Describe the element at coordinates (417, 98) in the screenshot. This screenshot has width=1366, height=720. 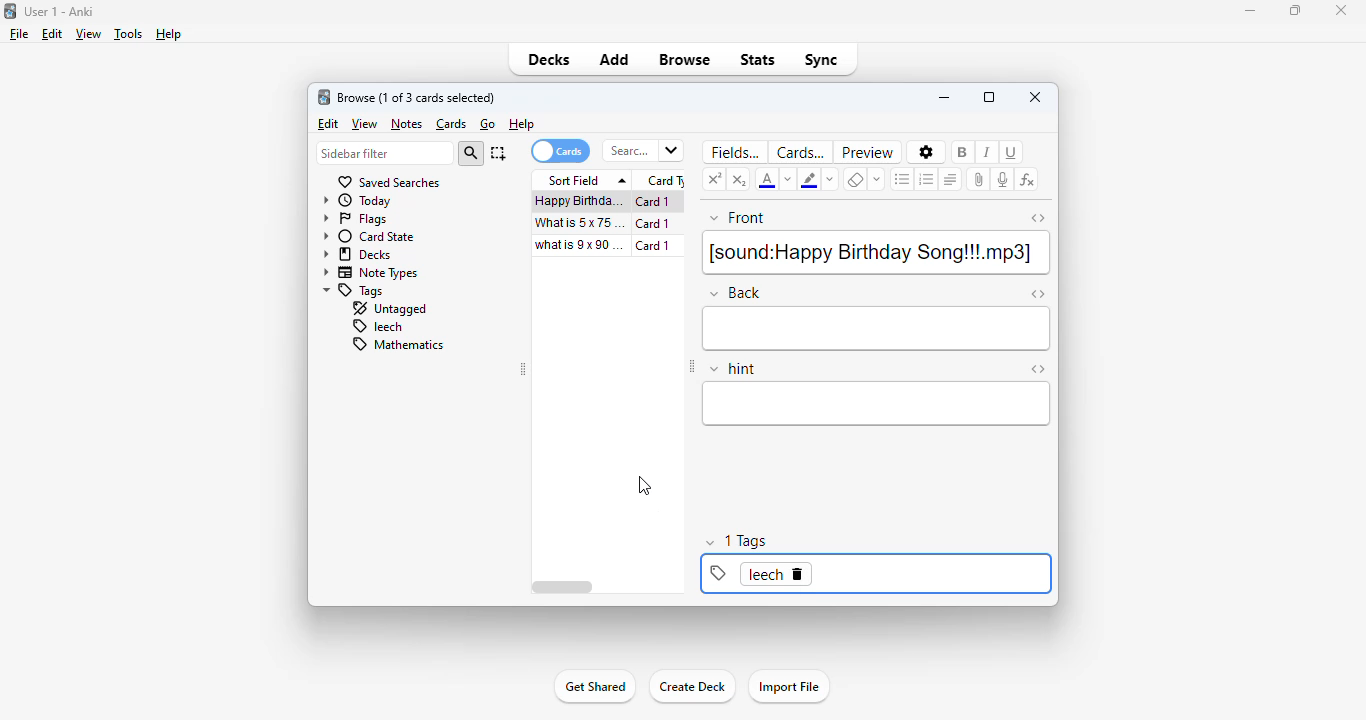
I see `browse (1 of 3 cards selected)` at that location.